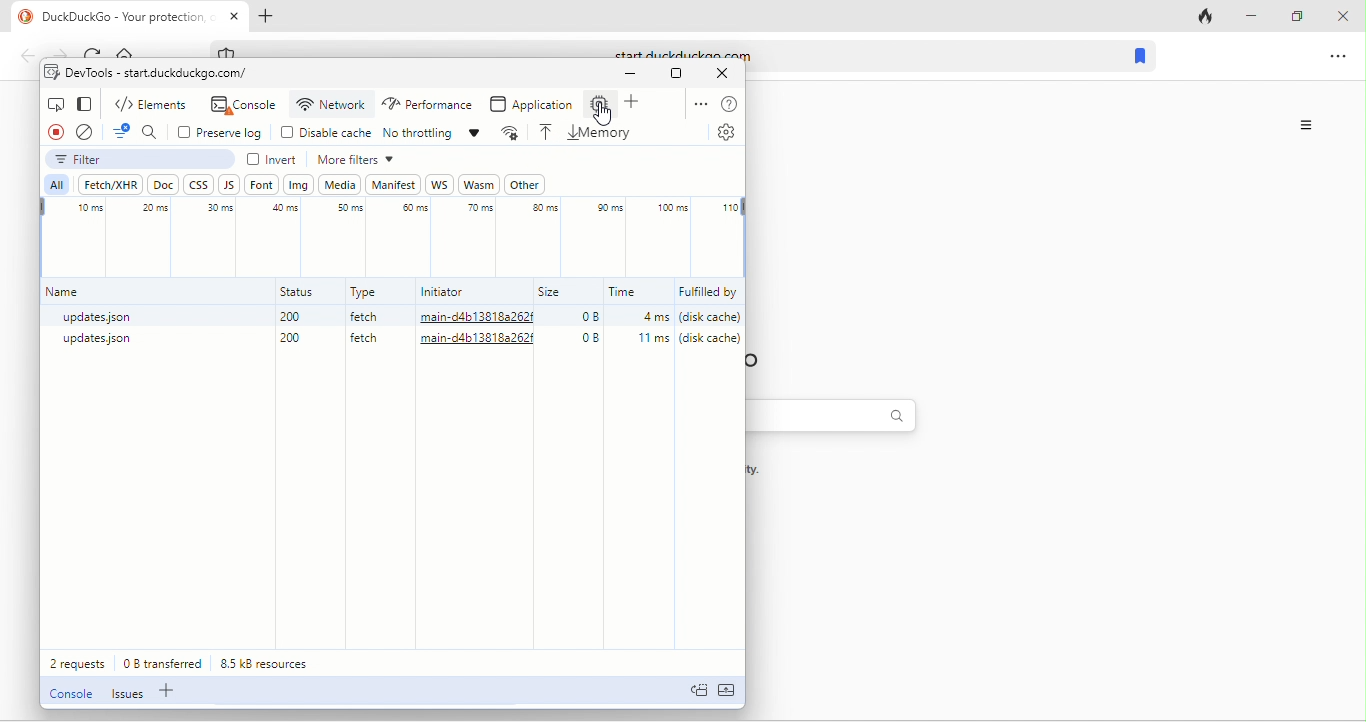 The height and width of the screenshot is (722, 1366). I want to click on main-d4b13818a262, so click(478, 343).